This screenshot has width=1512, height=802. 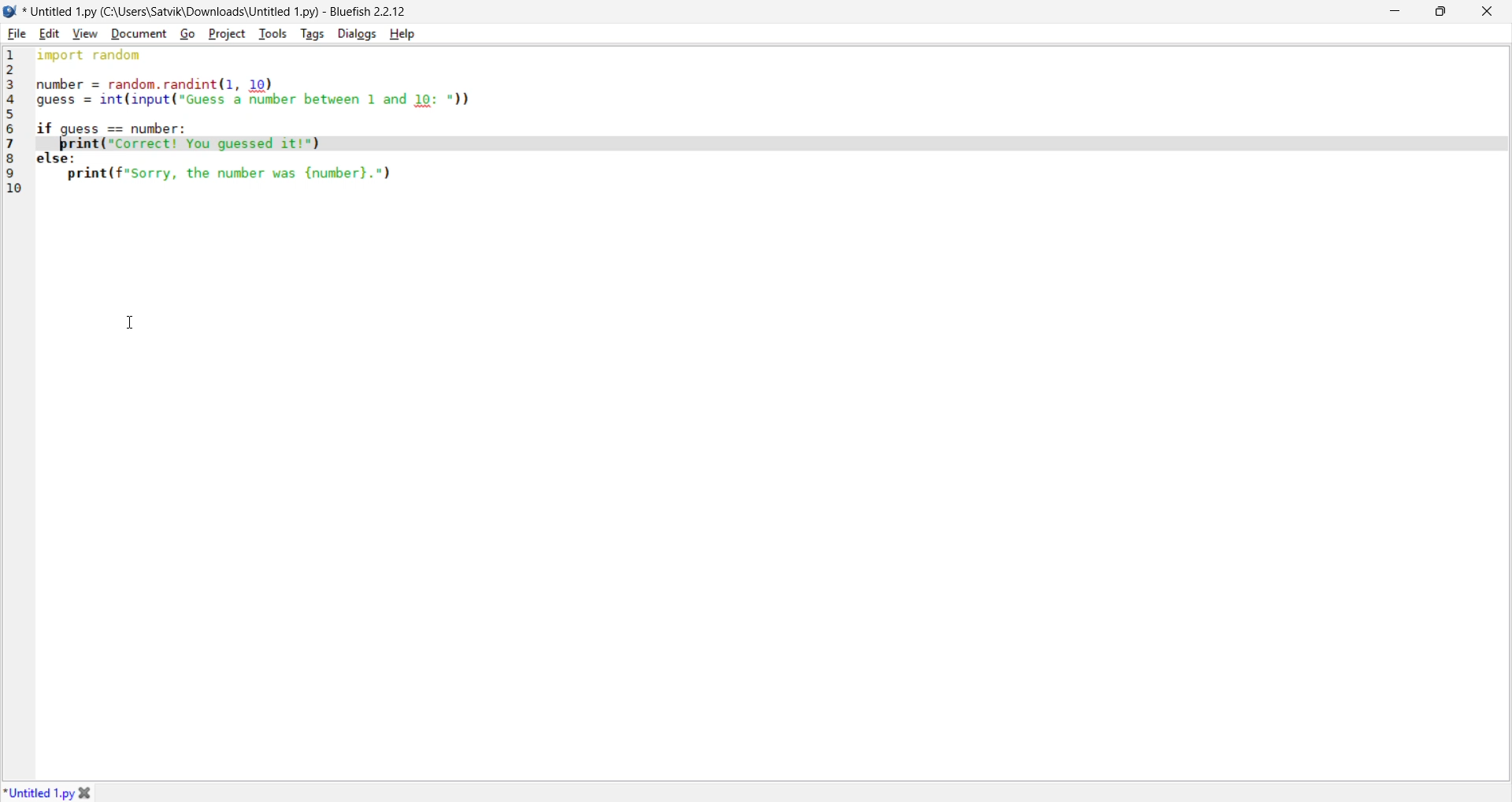 I want to click on document, so click(x=137, y=34).